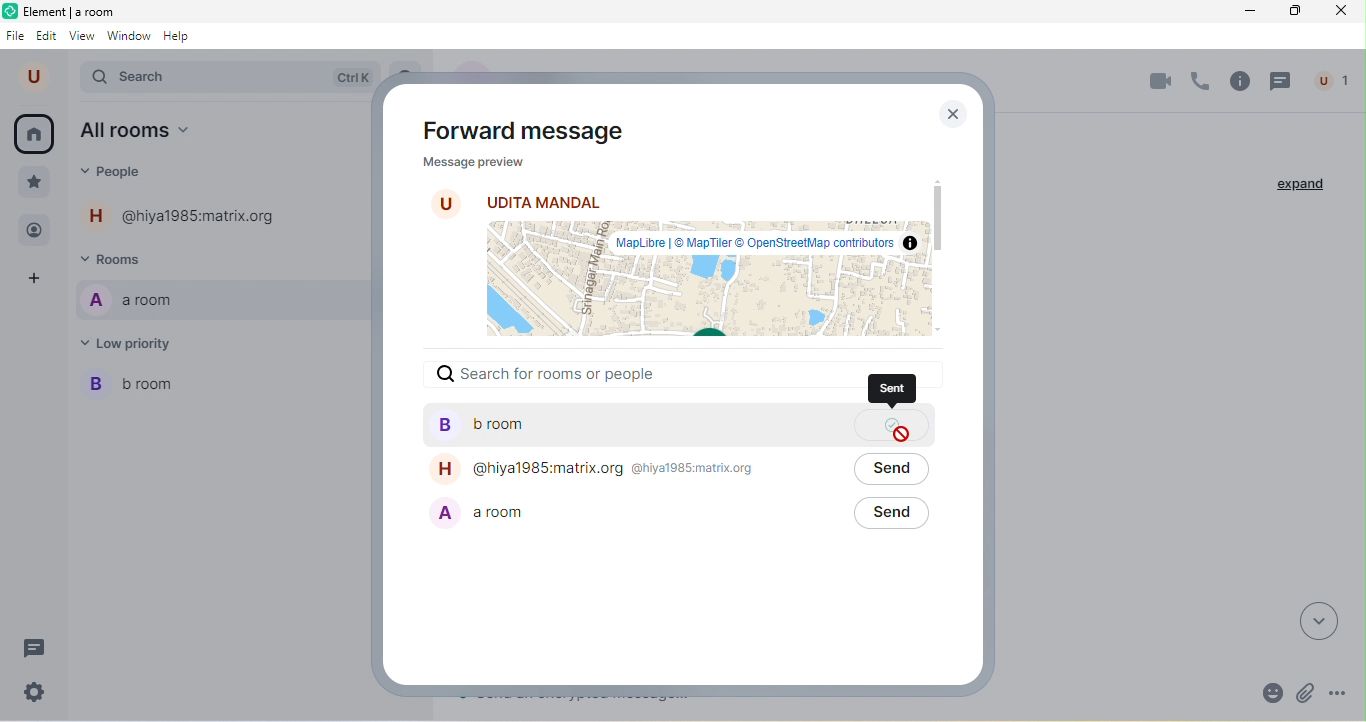 The height and width of the screenshot is (722, 1366). Describe the element at coordinates (938, 218) in the screenshot. I see `vertical scroll bar` at that location.